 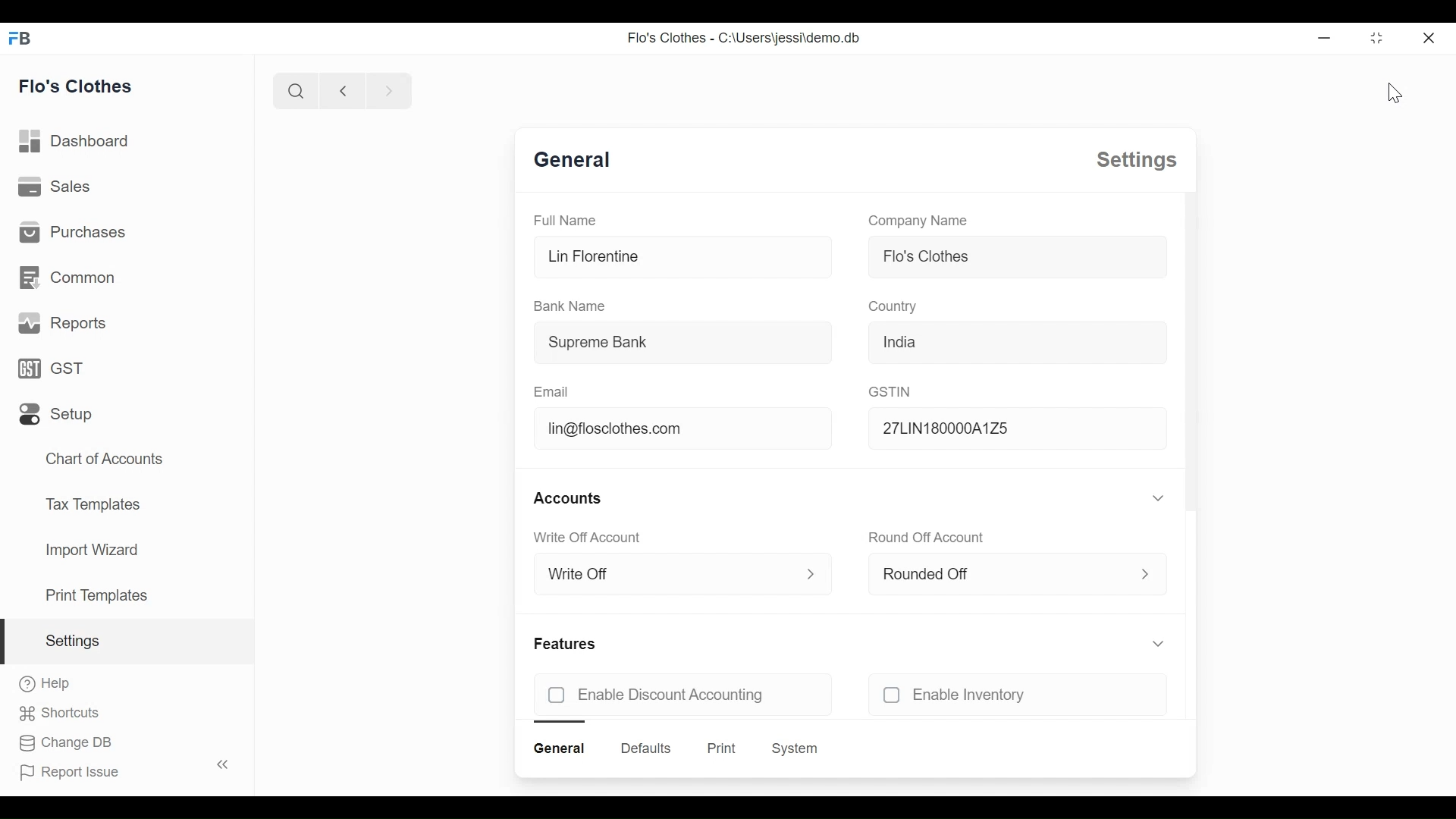 What do you see at coordinates (1322, 37) in the screenshot?
I see `Minimize` at bounding box center [1322, 37].